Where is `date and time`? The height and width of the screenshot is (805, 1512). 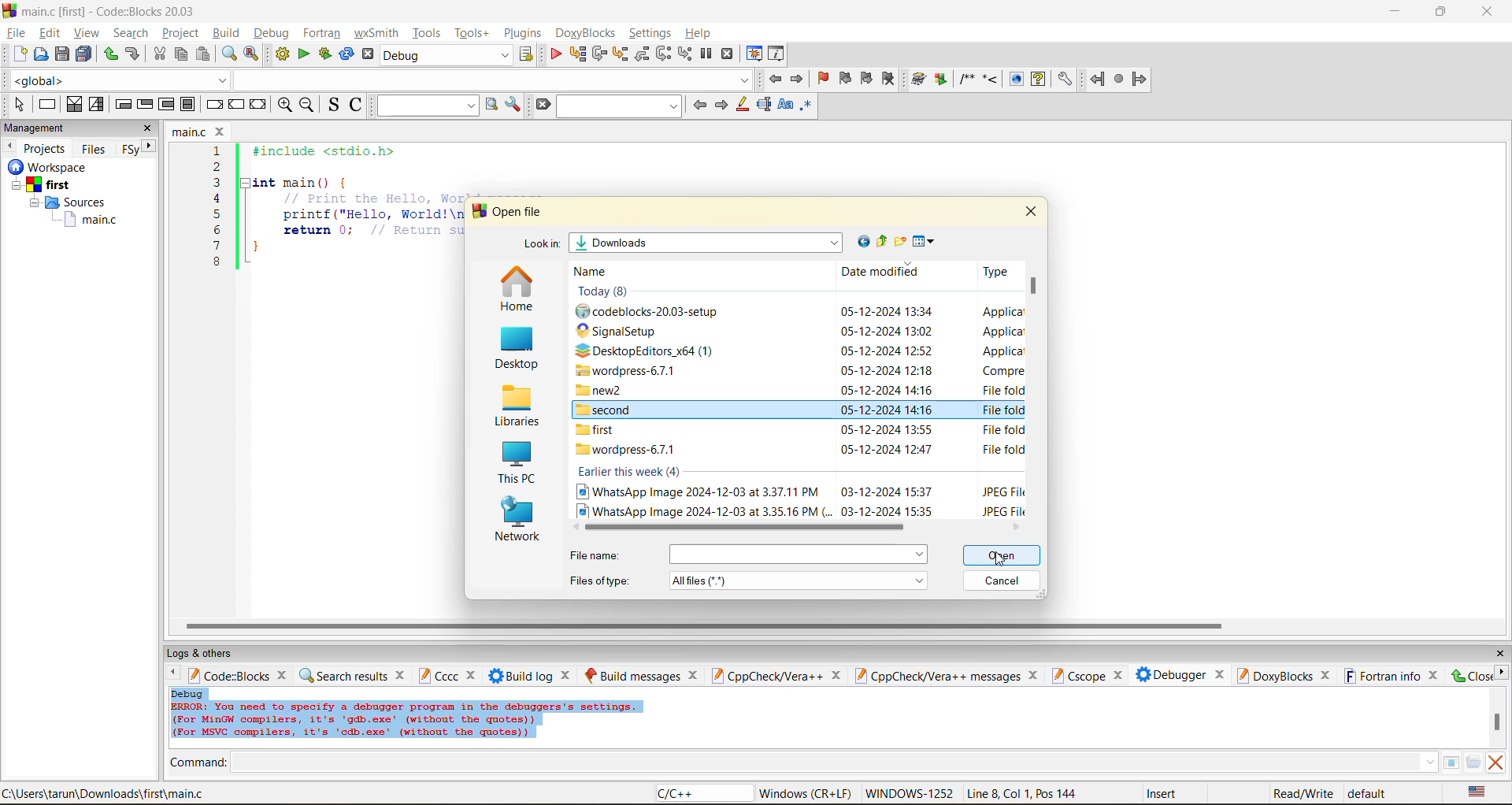 date and time is located at coordinates (886, 411).